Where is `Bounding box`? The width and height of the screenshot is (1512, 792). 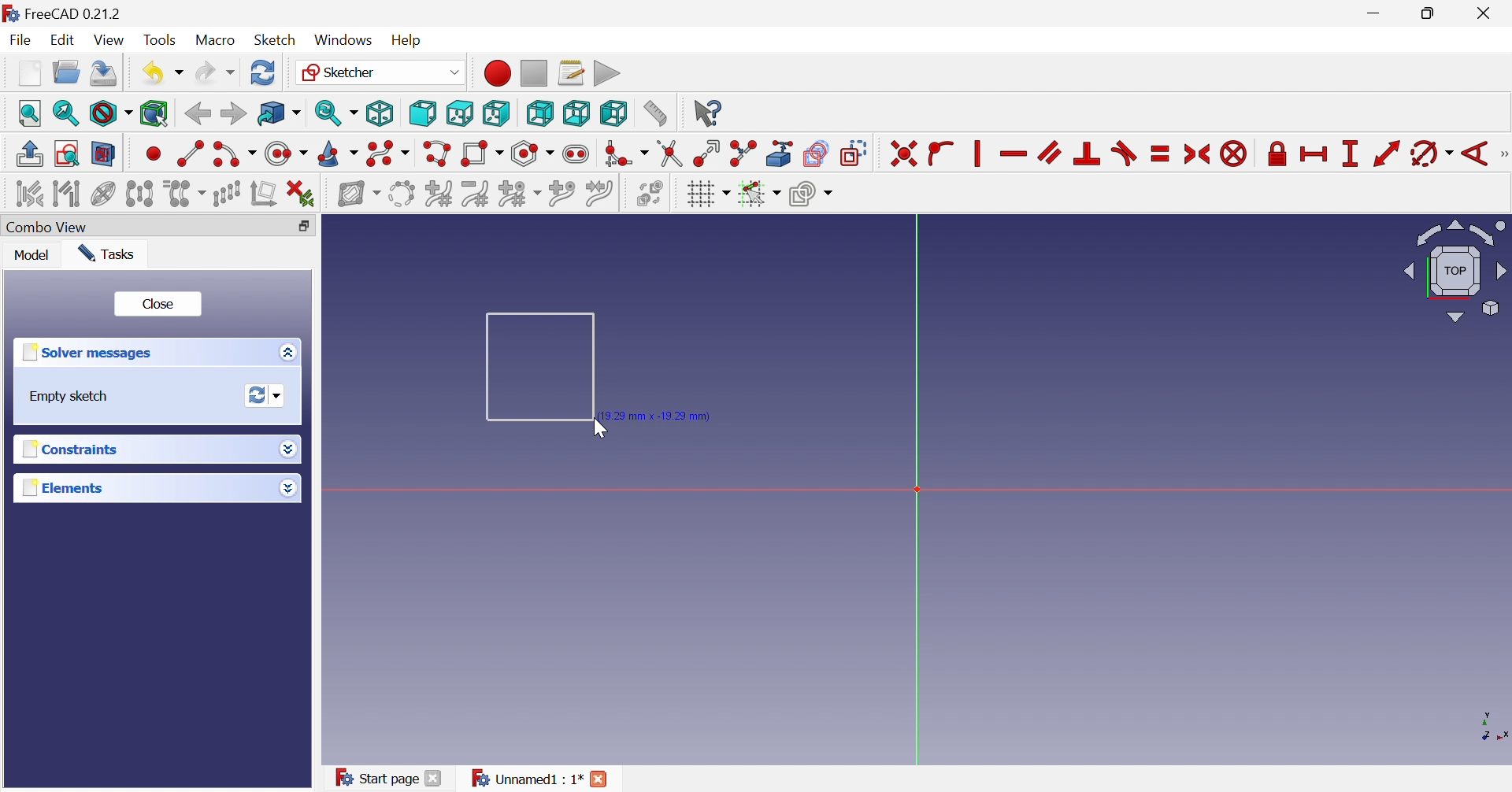
Bounding box is located at coordinates (154, 114).